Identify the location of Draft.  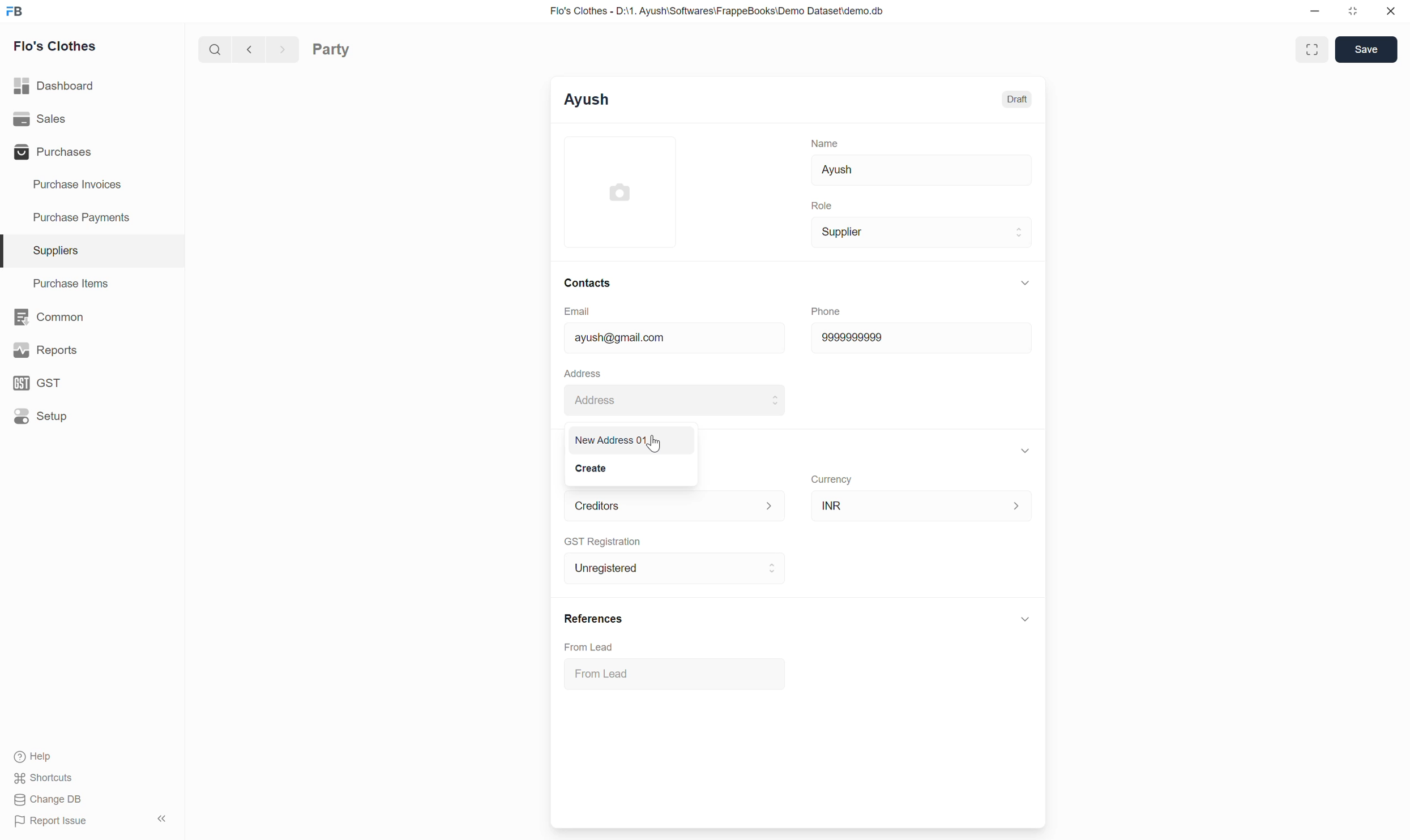
(1016, 100).